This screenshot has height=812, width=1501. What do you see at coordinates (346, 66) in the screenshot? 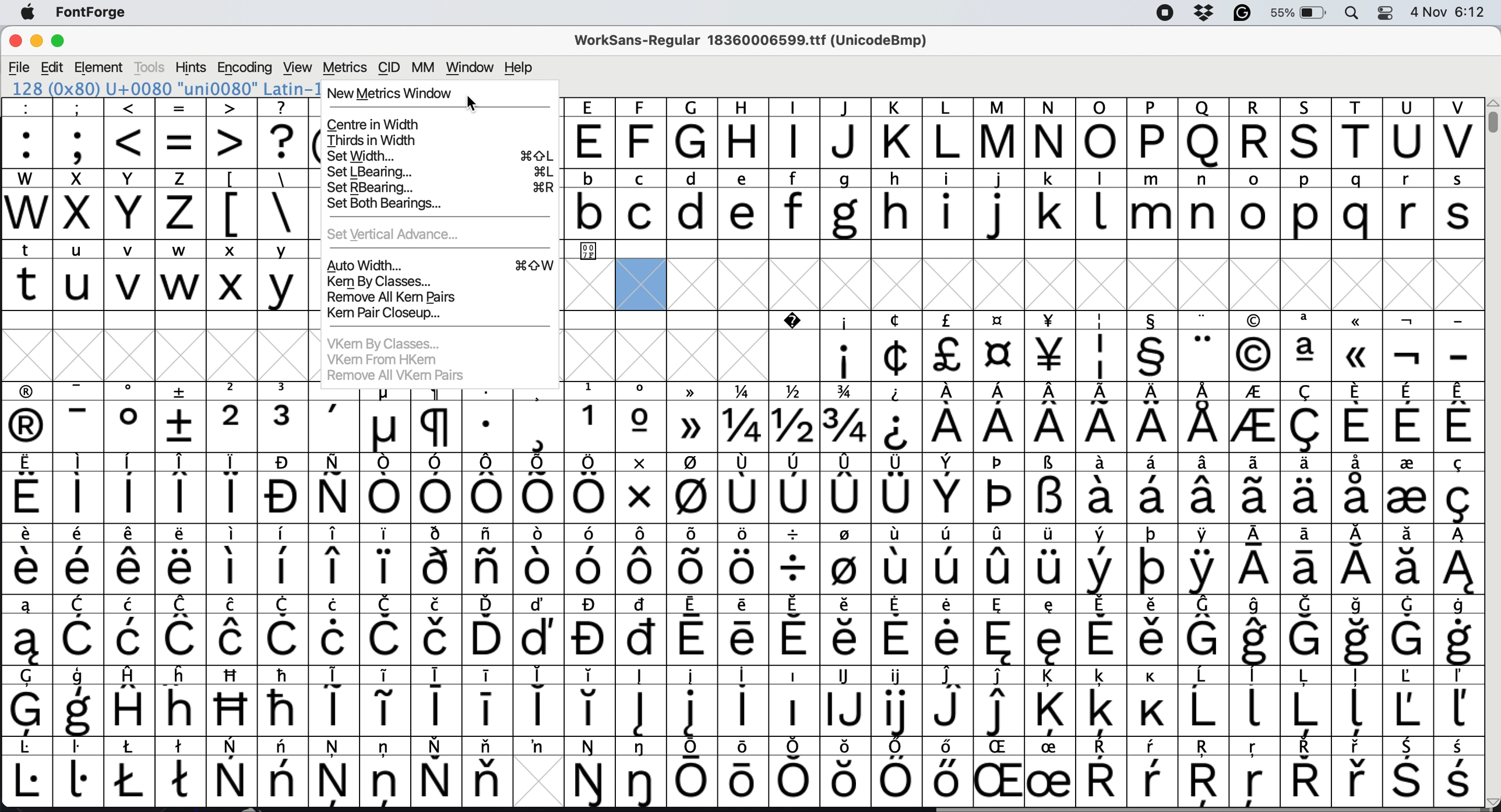
I see `Metrics` at bounding box center [346, 66].